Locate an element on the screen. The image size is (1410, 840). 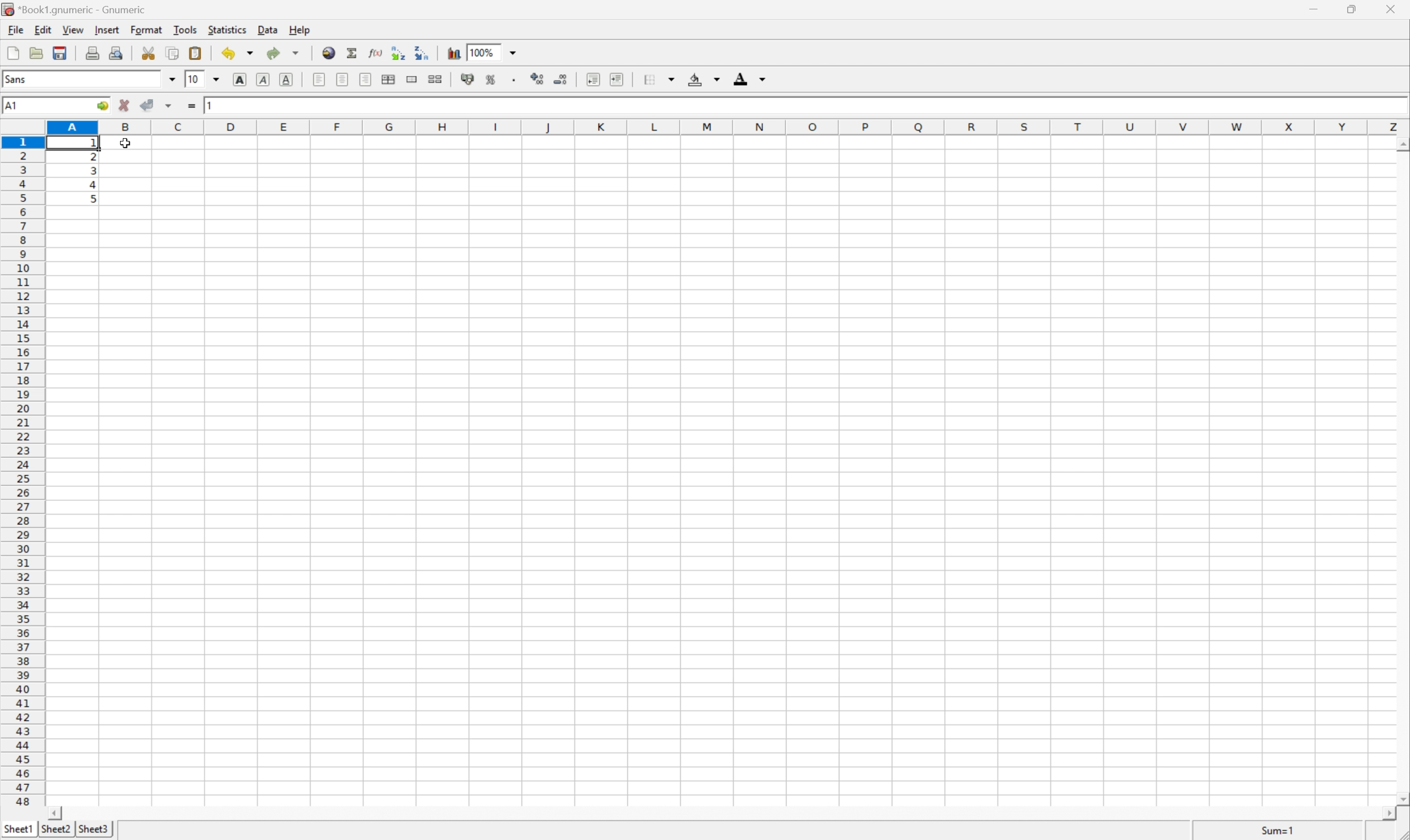
Sheet2 is located at coordinates (57, 830).